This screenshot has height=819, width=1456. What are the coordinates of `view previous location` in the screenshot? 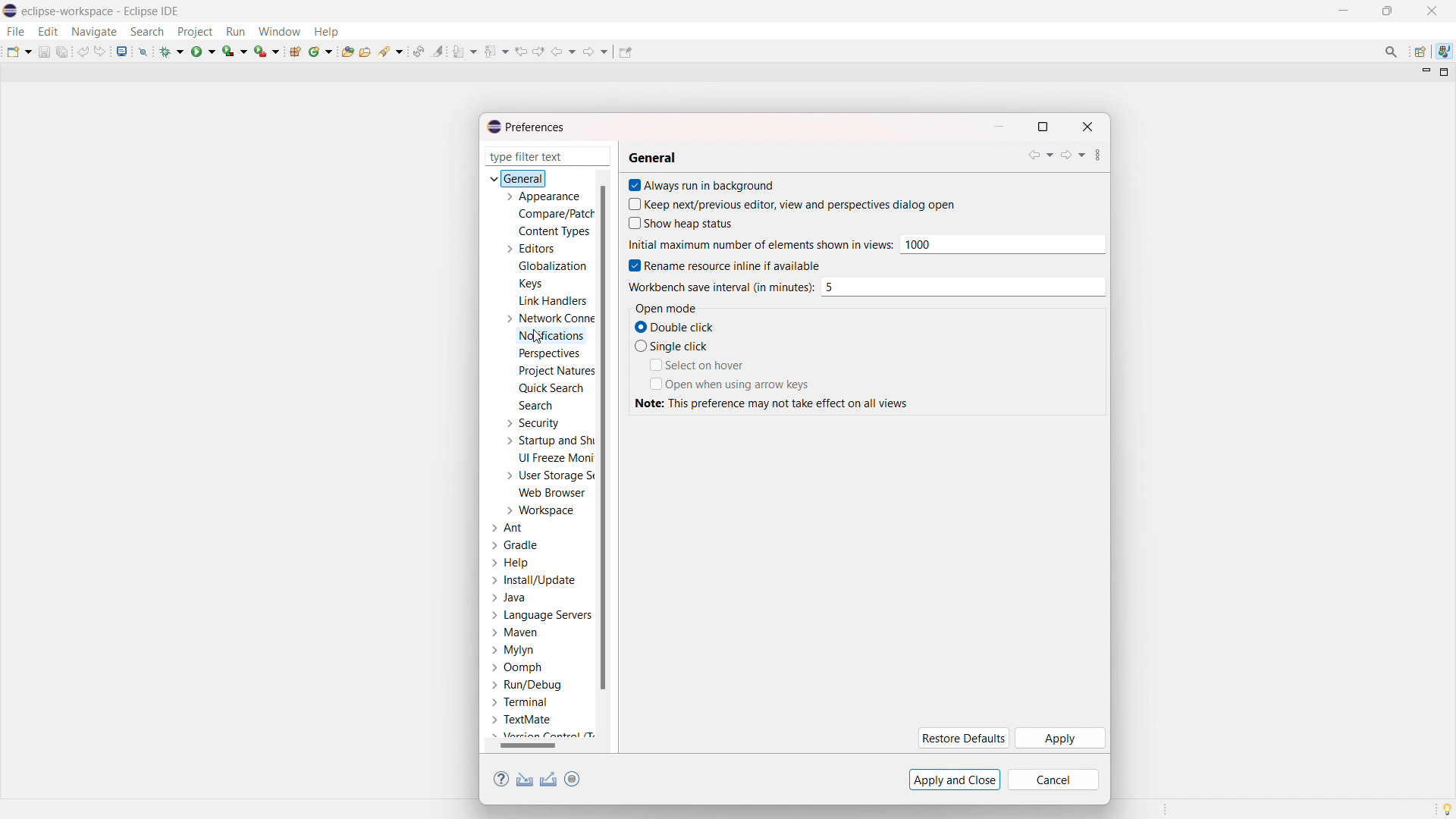 It's located at (521, 51).